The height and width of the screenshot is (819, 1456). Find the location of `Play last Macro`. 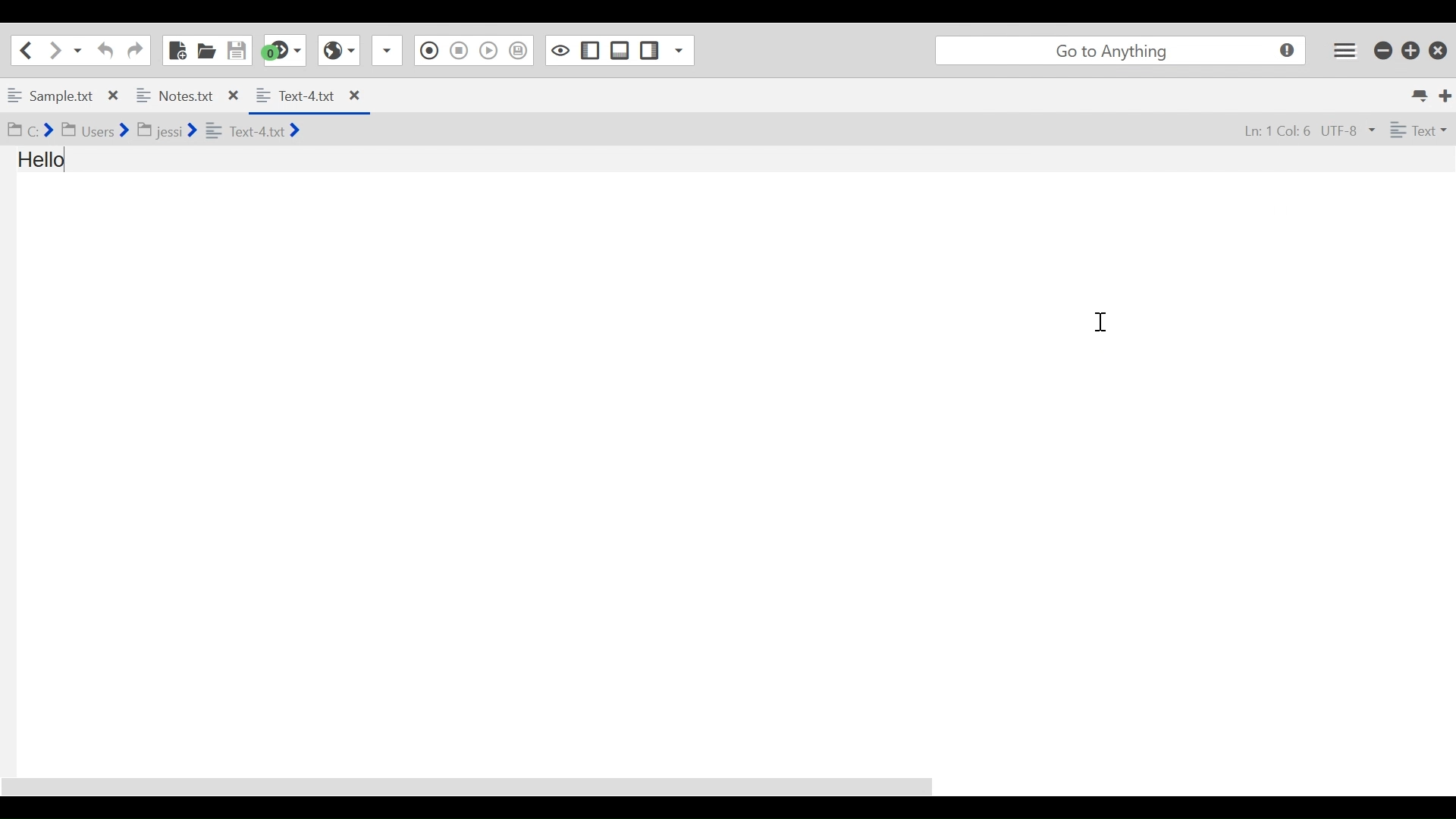

Play last Macro is located at coordinates (489, 51).